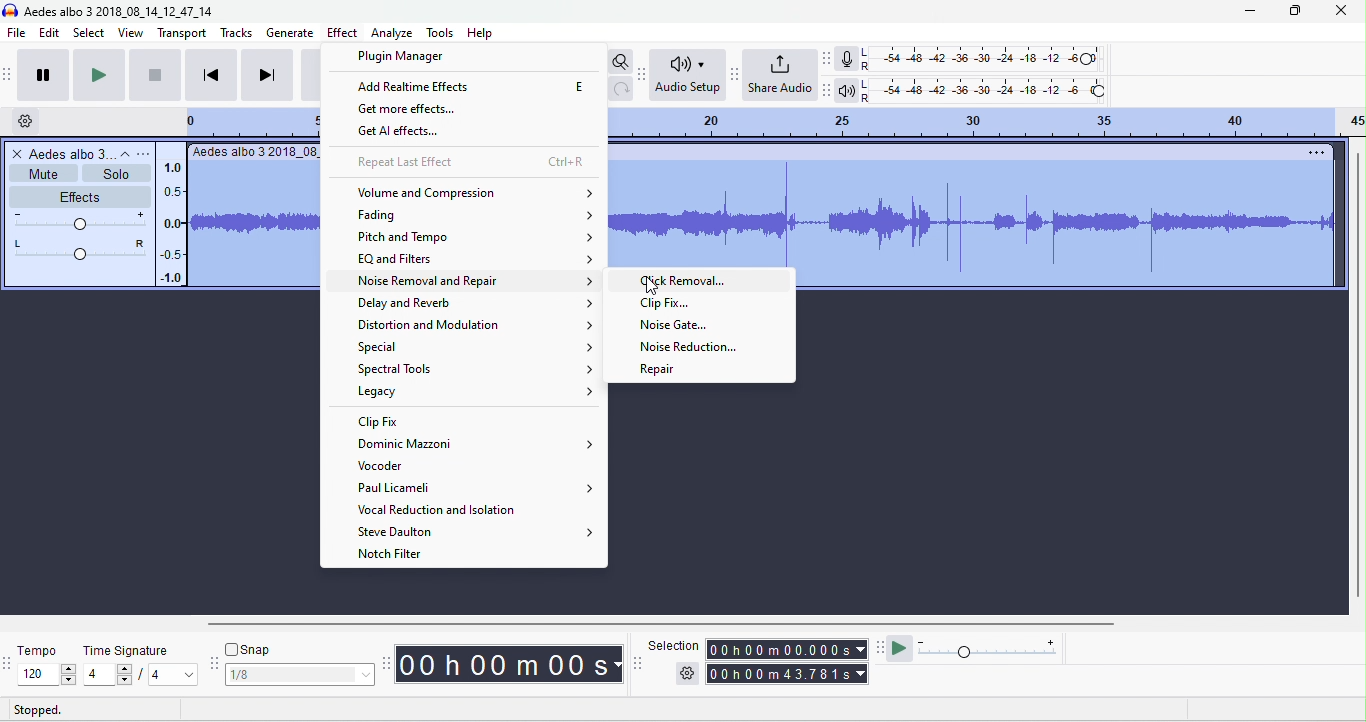 Image resolution: width=1366 pixels, height=722 pixels. Describe the element at coordinates (478, 216) in the screenshot. I see `fading` at that location.